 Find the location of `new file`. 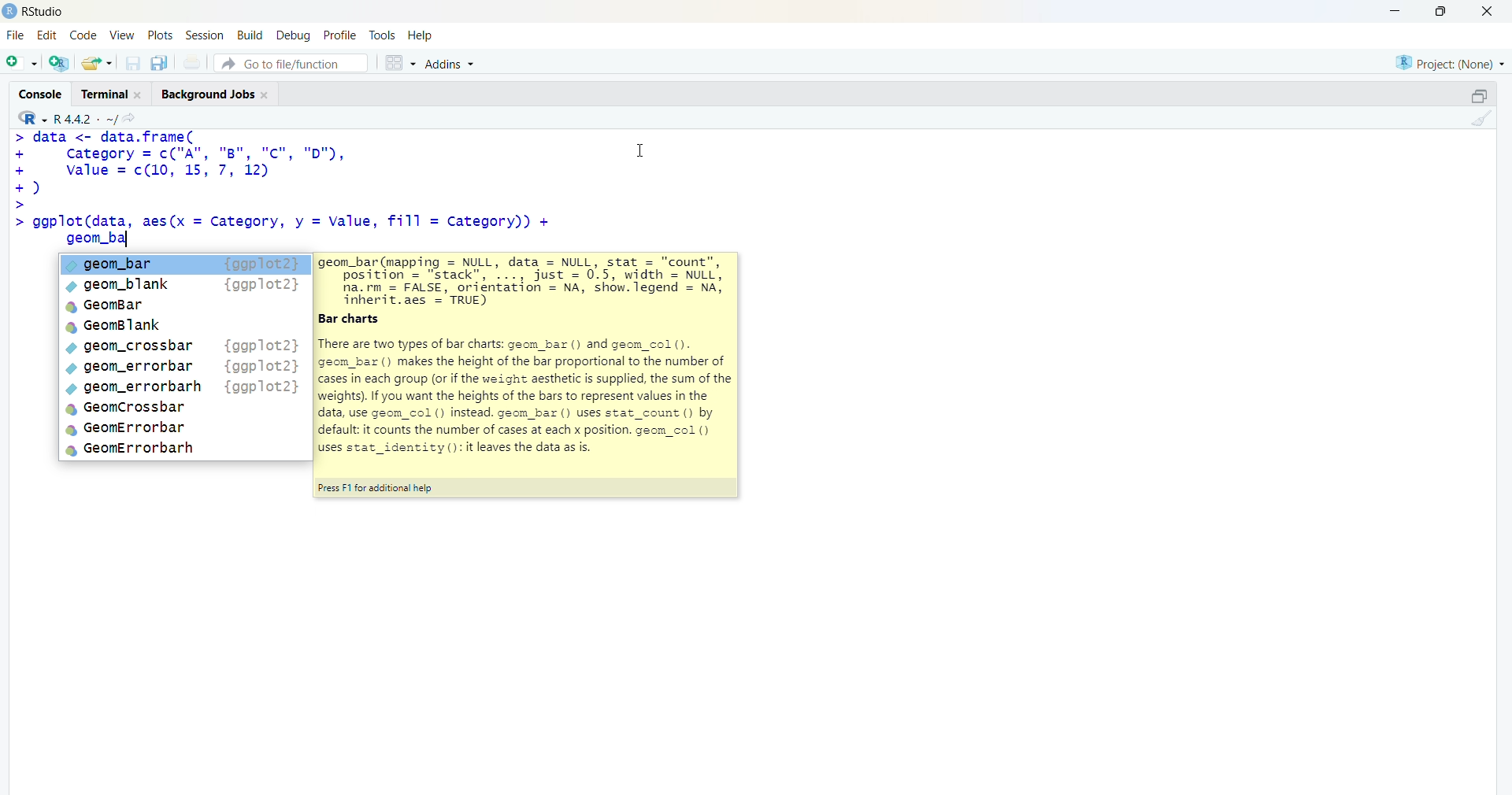

new file is located at coordinates (21, 61).